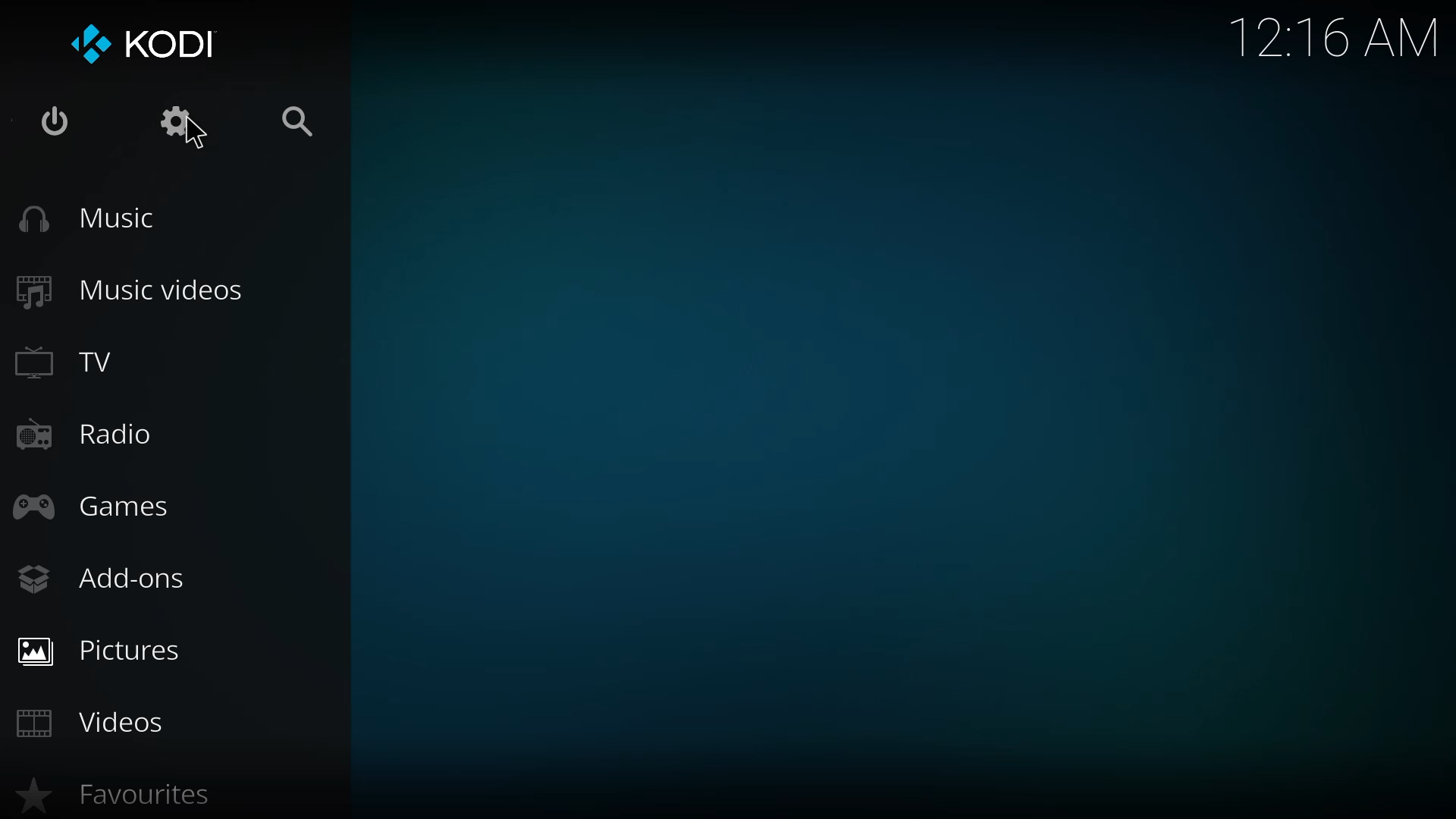  I want to click on radio, so click(85, 436).